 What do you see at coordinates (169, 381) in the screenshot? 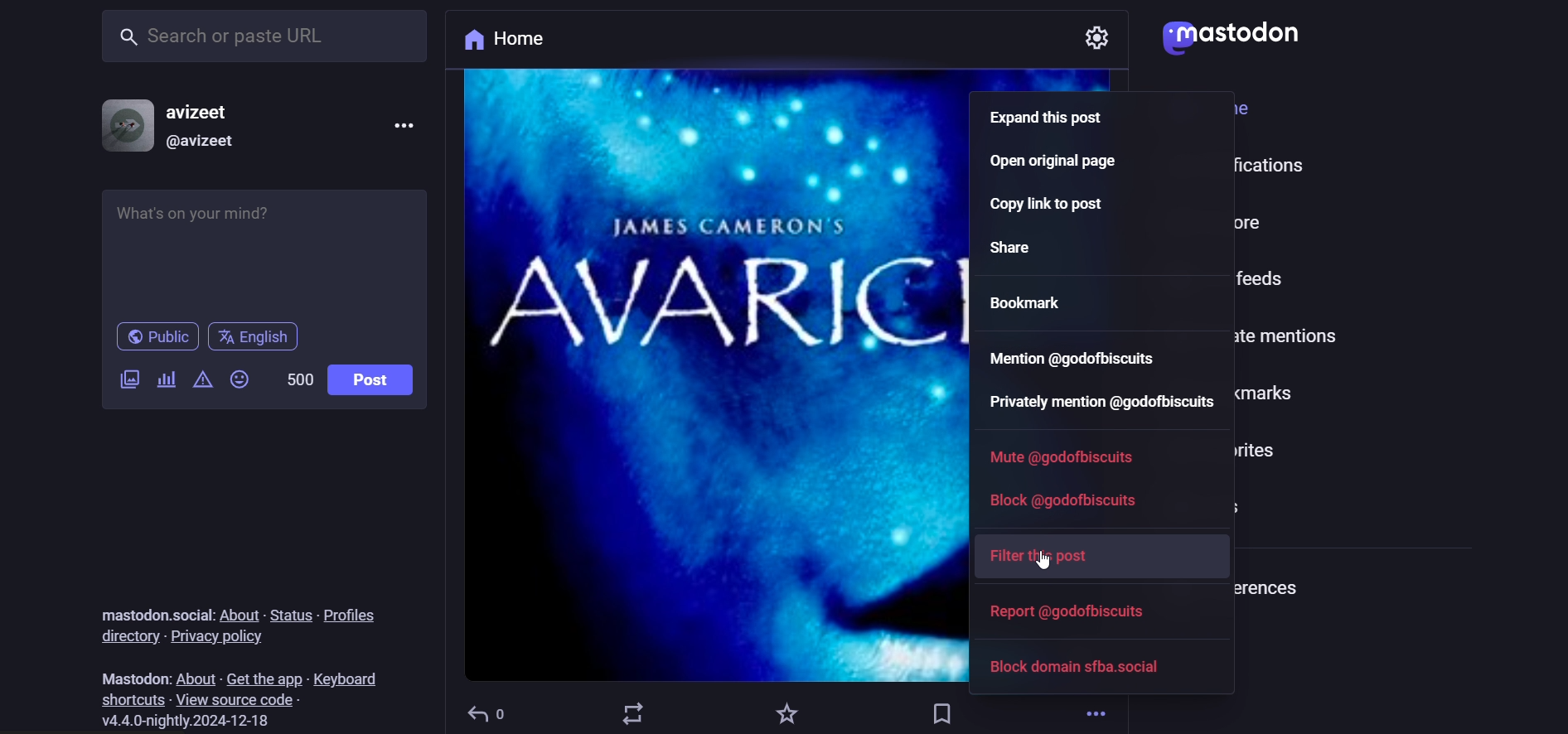
I see `poll` at bounding box center [169, 381].